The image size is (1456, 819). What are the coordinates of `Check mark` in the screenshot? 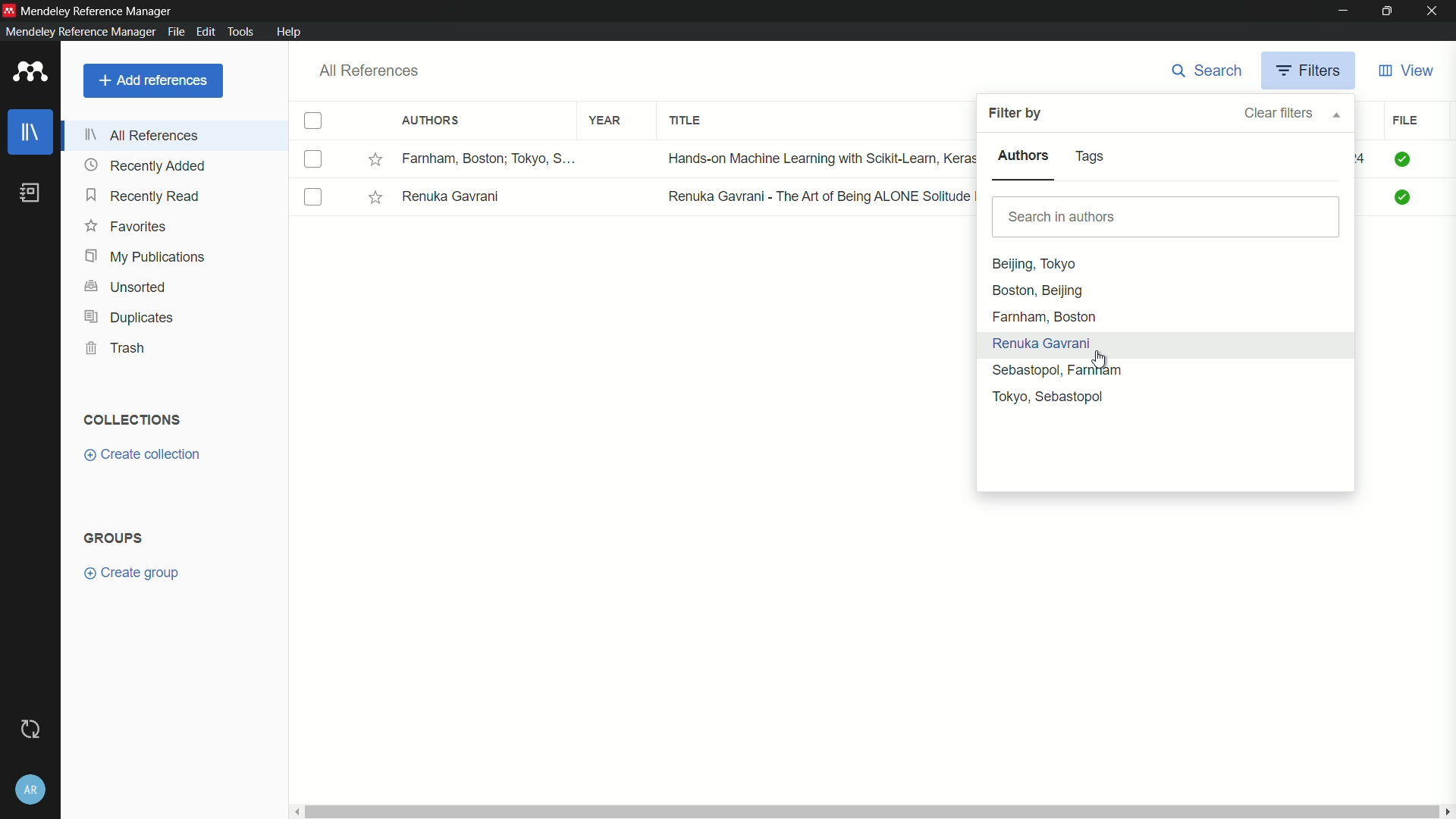 It's located at (1403, 198).